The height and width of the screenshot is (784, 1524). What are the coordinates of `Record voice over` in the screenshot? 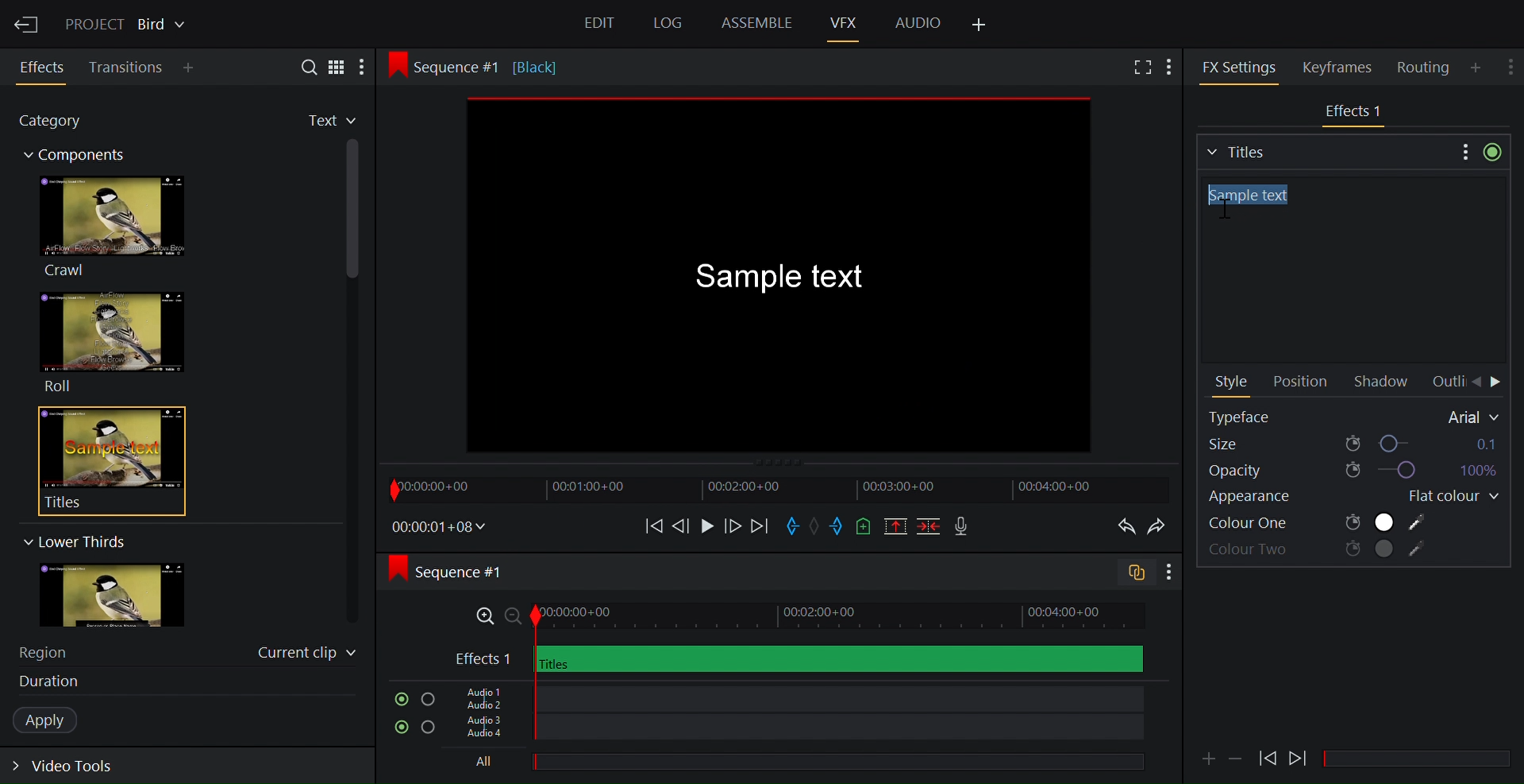 It's located at (963, 527).